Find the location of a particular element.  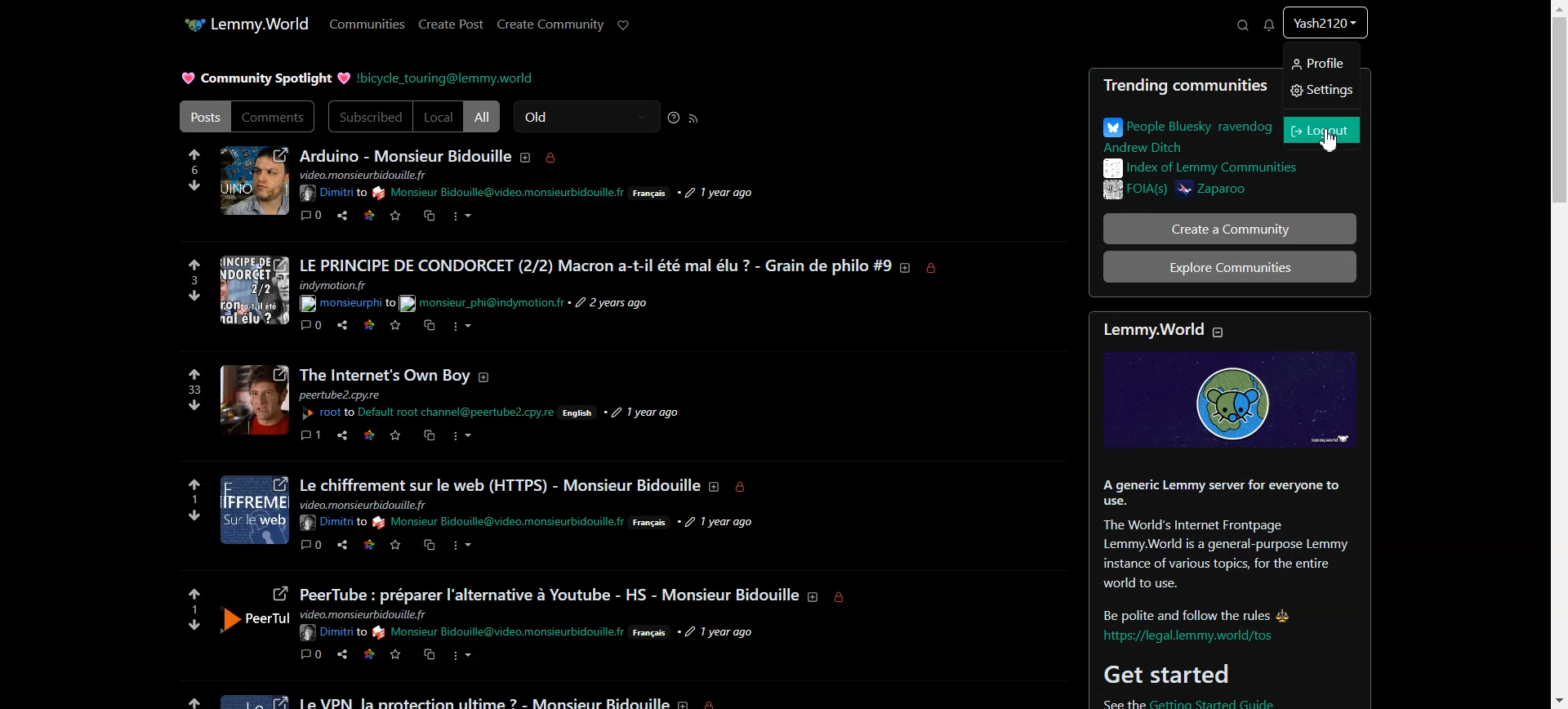

Posts is located at coordinates (594, 265).